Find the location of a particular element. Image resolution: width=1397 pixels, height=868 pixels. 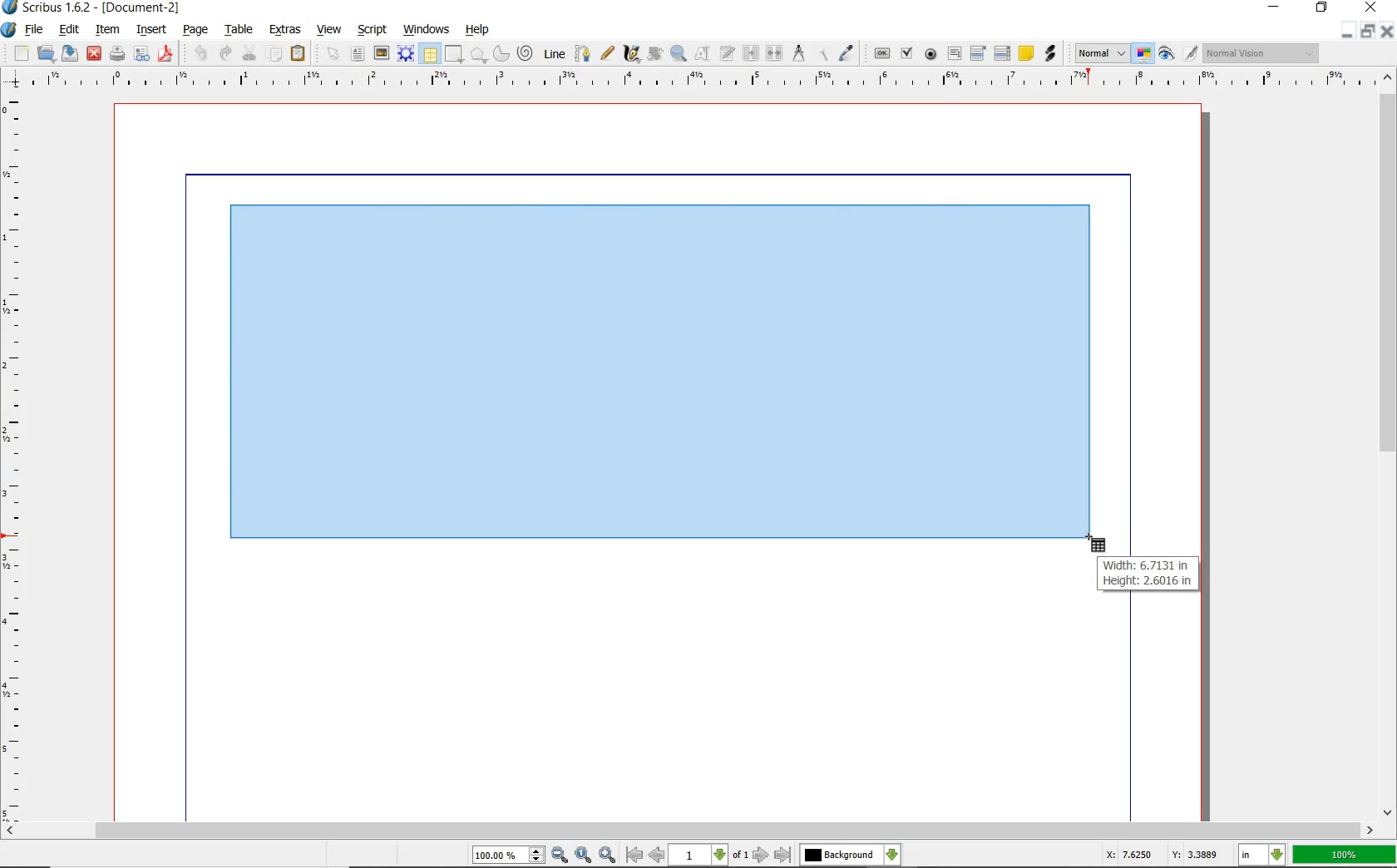

zoom to is located at coordinates (585, 856).